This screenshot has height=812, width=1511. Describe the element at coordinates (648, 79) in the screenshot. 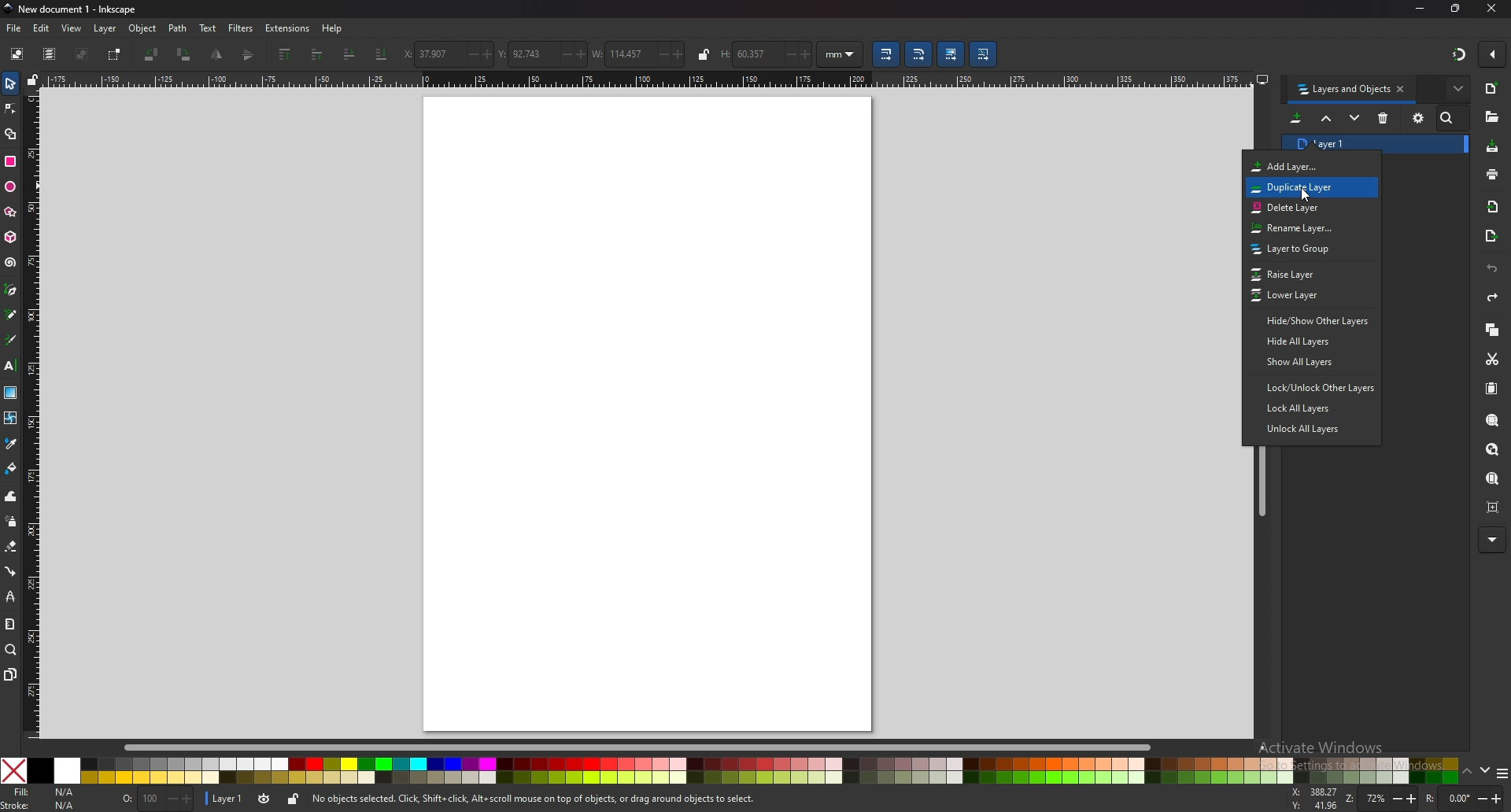

I see `horizontal scale` at that location.